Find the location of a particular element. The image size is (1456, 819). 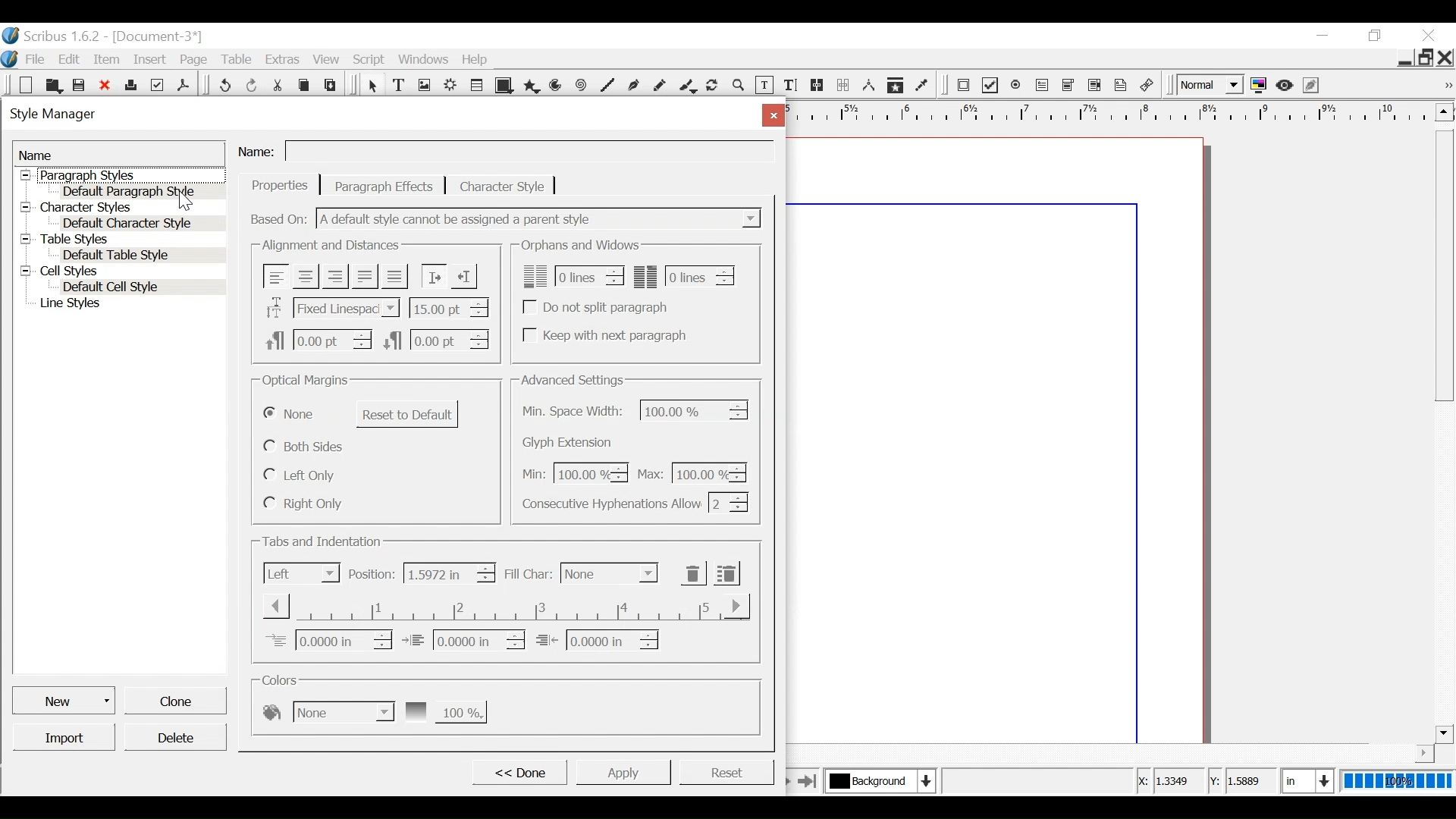

Push indent Right is located at coordinates (433, 276).